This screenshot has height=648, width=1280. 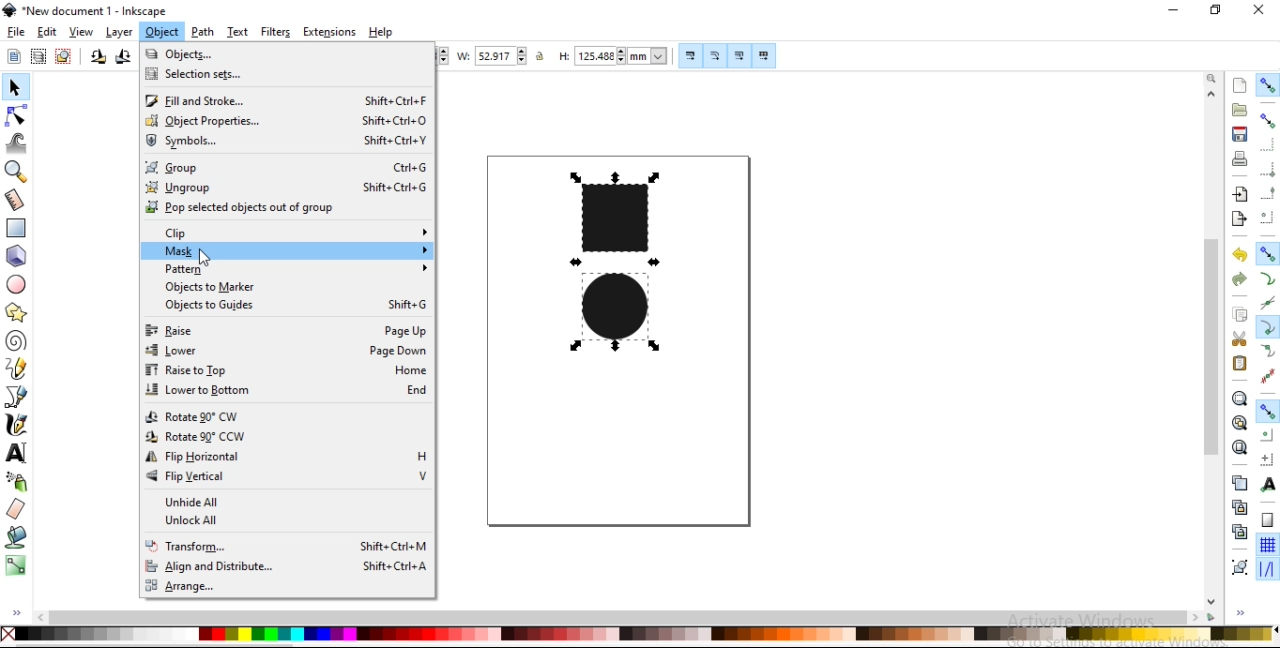 What do you see at coordinates (1238, 508) in the screenshot?
I see `create aclone` at bounding box center [1238, 508].